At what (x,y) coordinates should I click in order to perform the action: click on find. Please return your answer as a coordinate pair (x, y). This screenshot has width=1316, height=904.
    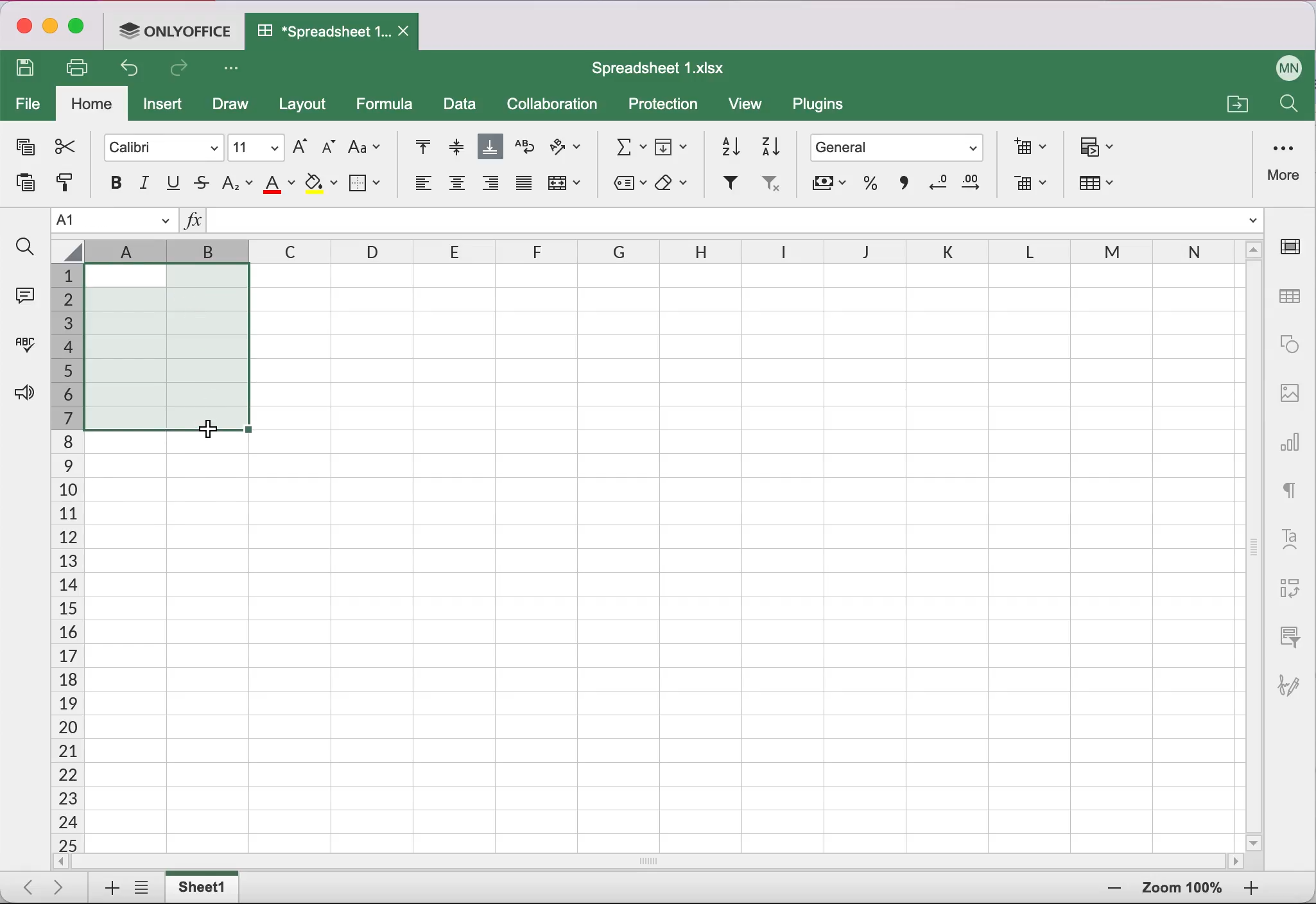
    Looking at the image, I should click on (24, 247).